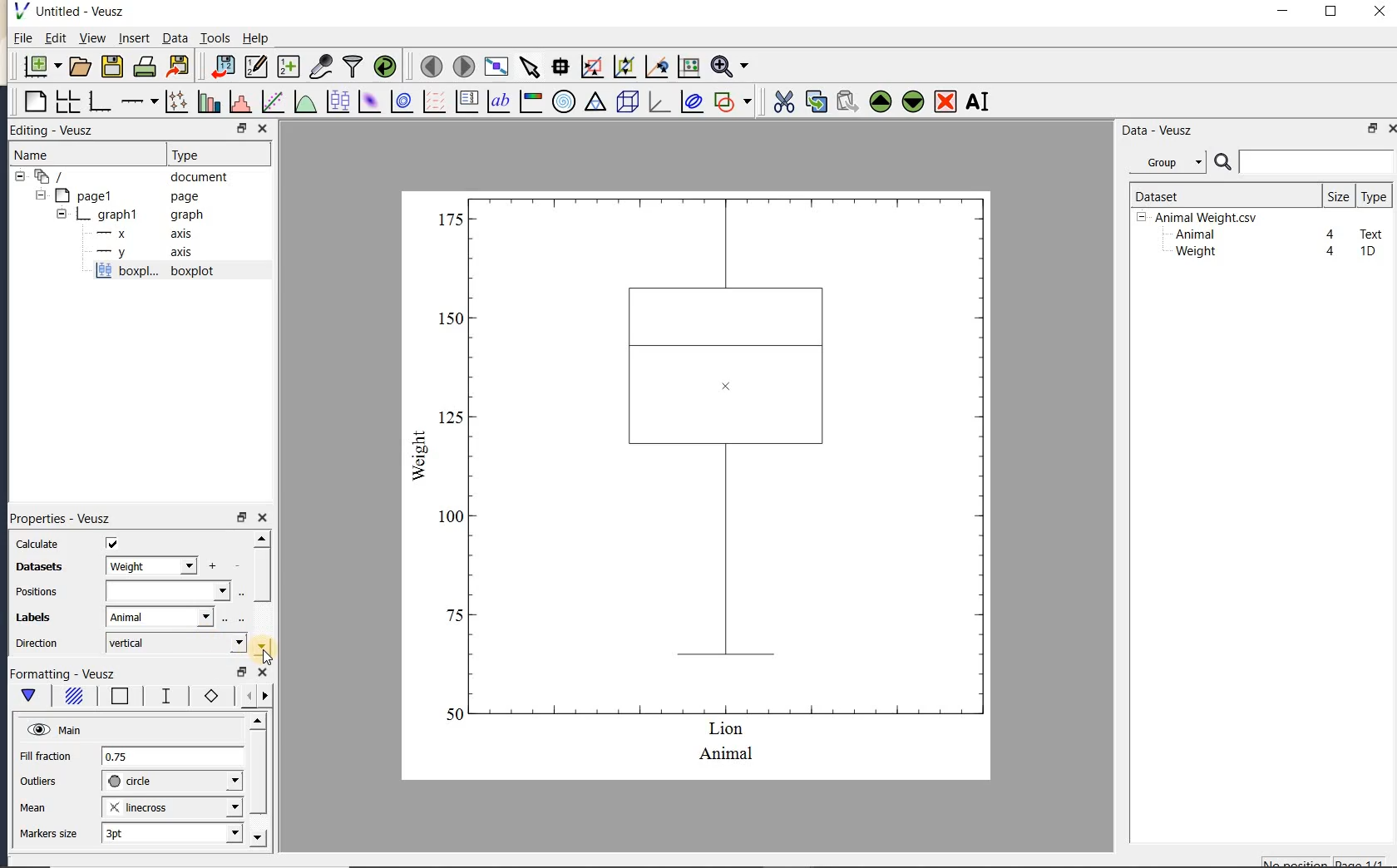 The height and width of the screenshot is (868, 1397). What do you see at coordinates (51, 834) in the screenshot?
I see `markers size` at bounding box center [51, 834].